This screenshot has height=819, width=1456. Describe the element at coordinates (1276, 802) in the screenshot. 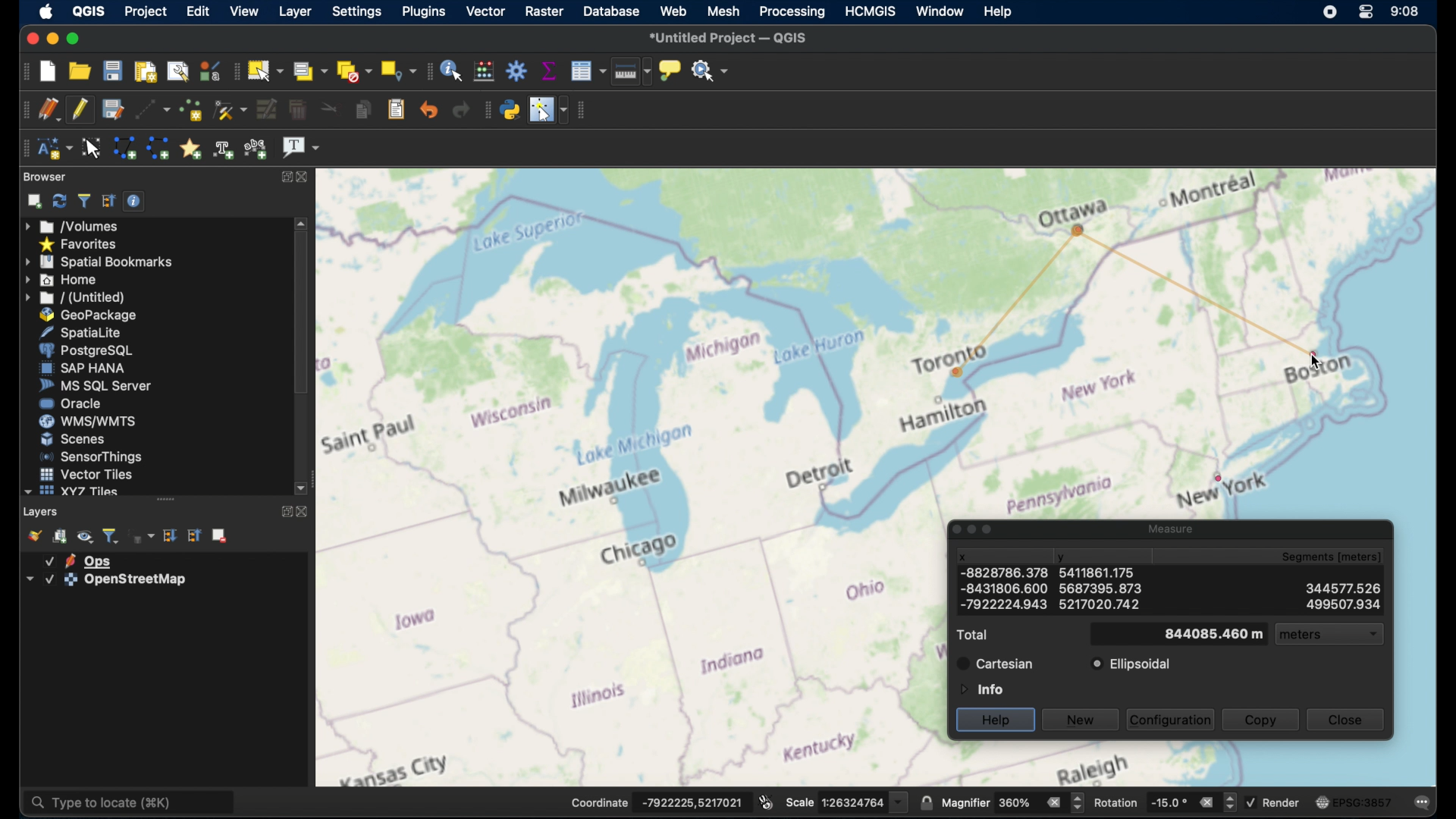

I see `render` at that location.